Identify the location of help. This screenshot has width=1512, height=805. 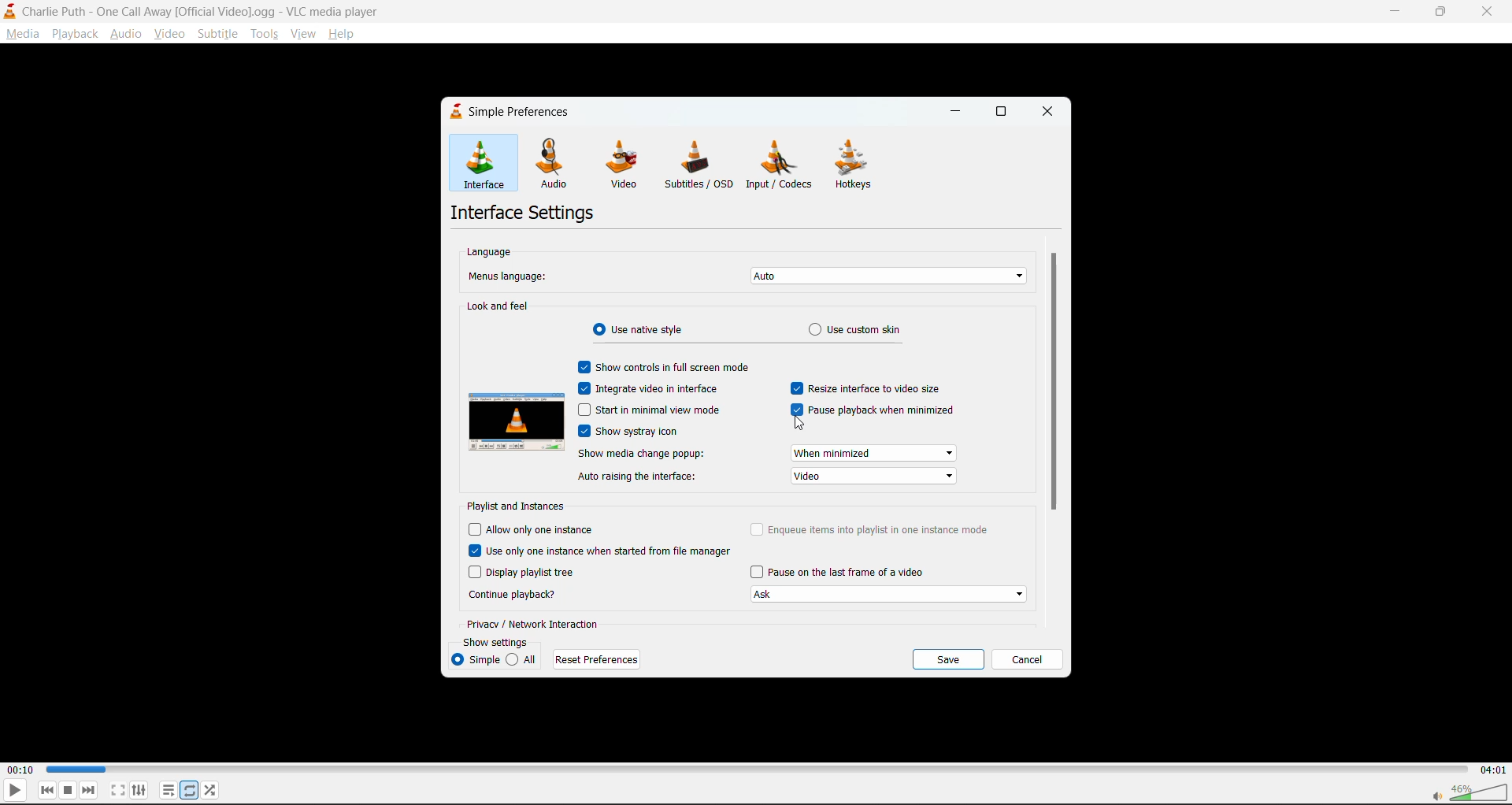
(345, 35).